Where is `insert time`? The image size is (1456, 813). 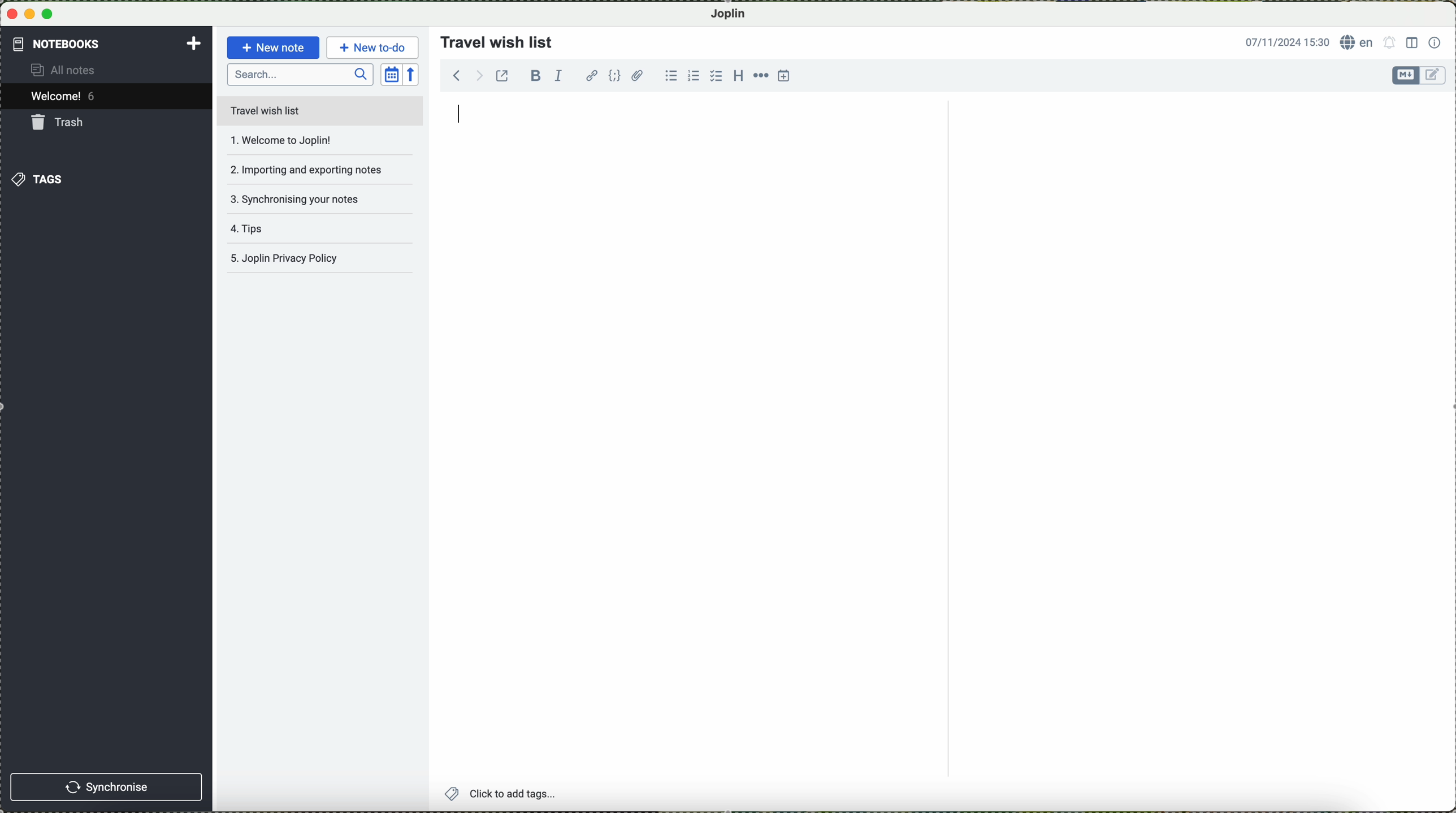
insert time is located at coordinates (785, 77).